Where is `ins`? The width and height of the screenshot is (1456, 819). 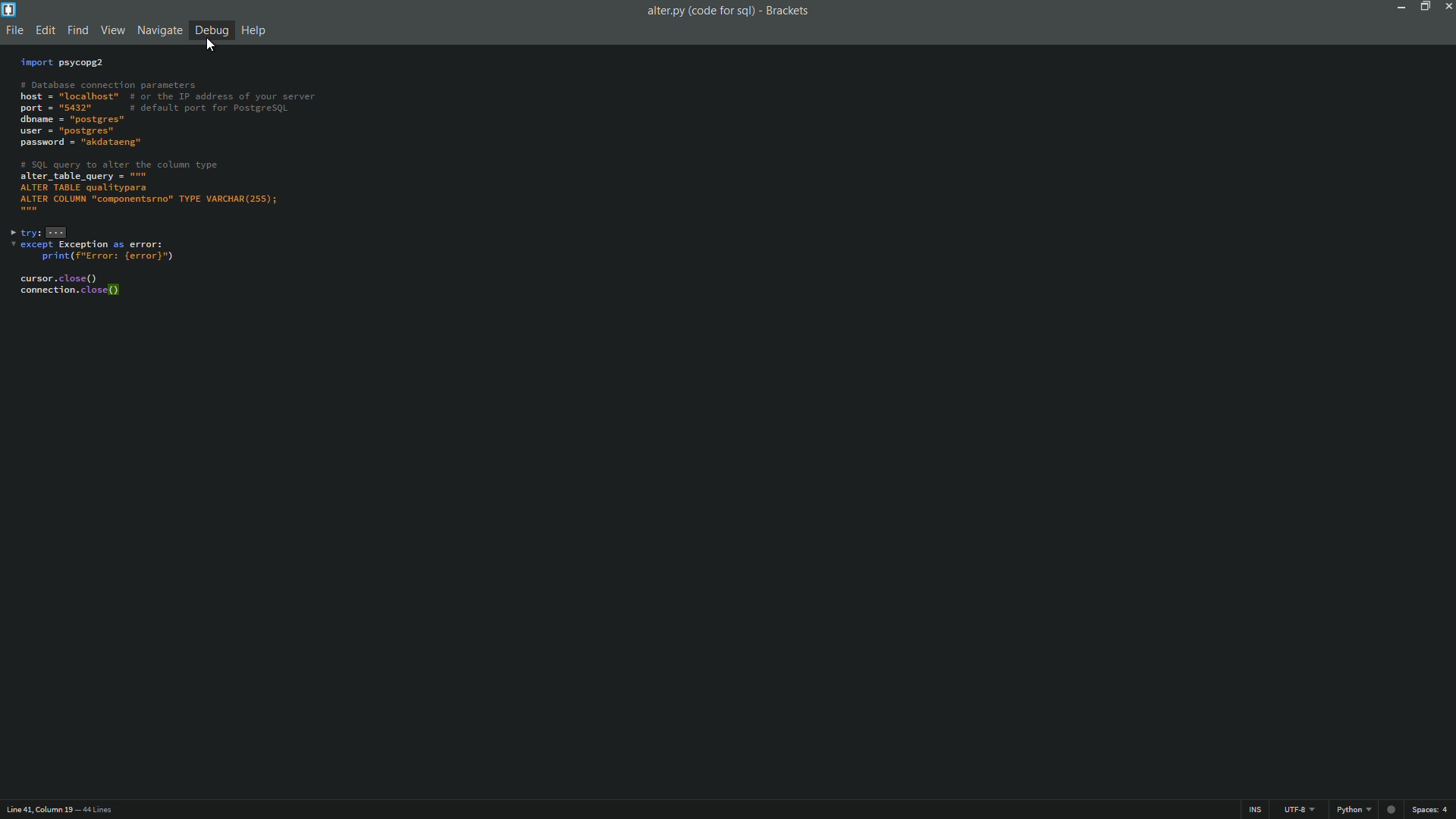 ins is located at coordinates (1255, 811).